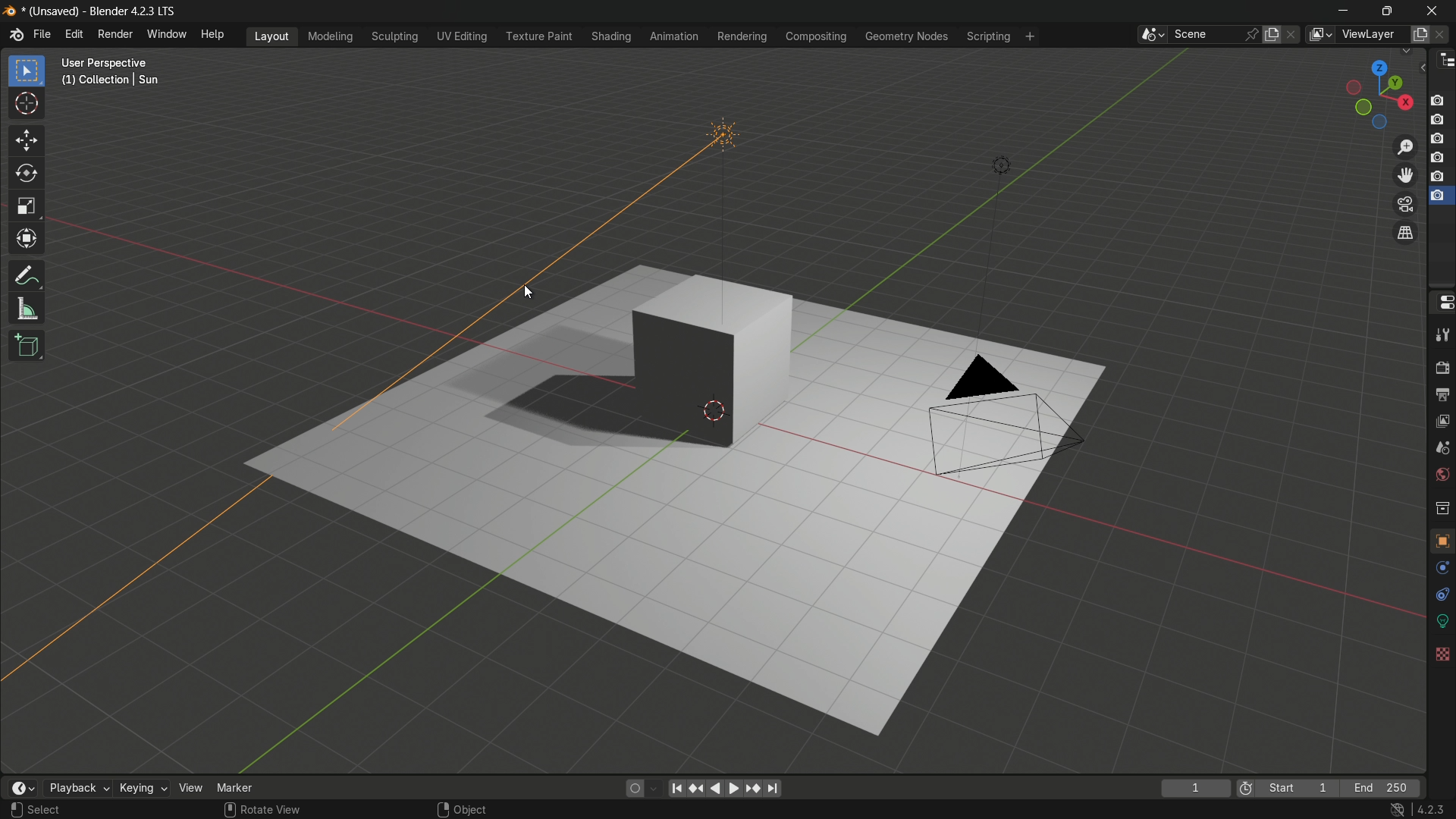 The image size is (1456, 819). I want to click on outliner, so click(1446, 62).